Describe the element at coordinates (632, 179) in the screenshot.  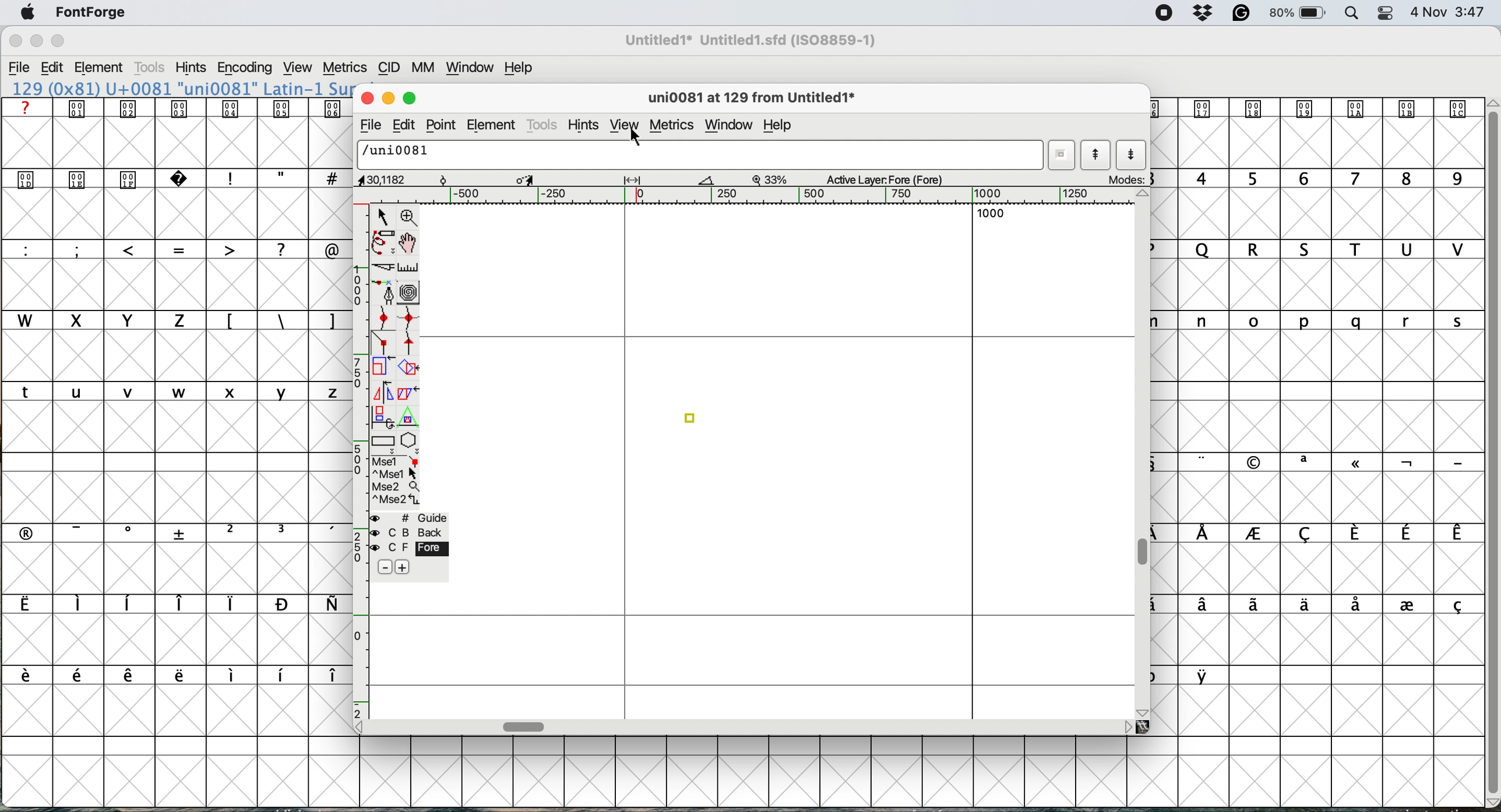
I see `Width/Spacing Tool` at that location.